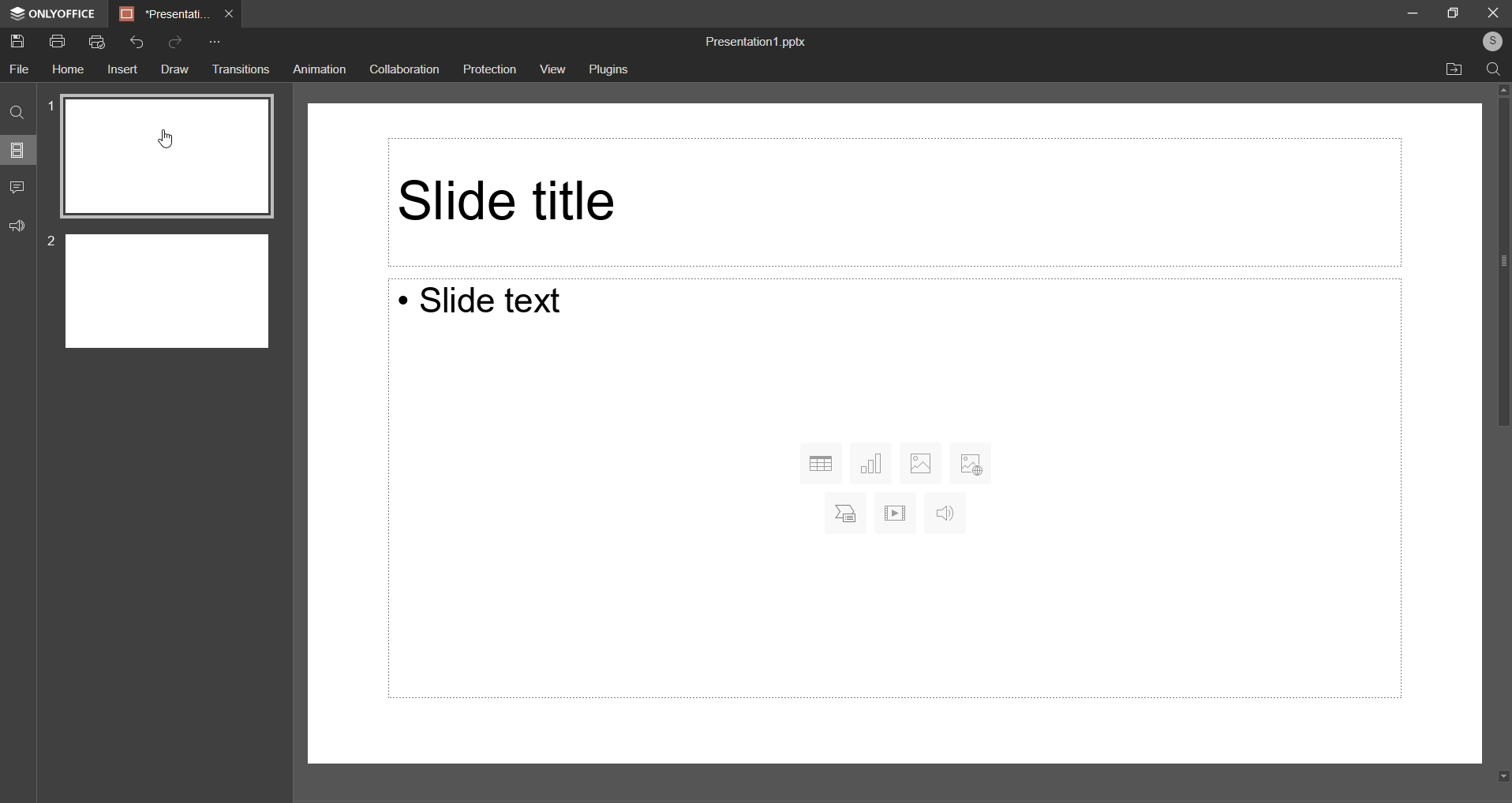  What do you see at coordinates (18, 153) in the screenshot?
I see `Slides` at bounding box center [18, 153].